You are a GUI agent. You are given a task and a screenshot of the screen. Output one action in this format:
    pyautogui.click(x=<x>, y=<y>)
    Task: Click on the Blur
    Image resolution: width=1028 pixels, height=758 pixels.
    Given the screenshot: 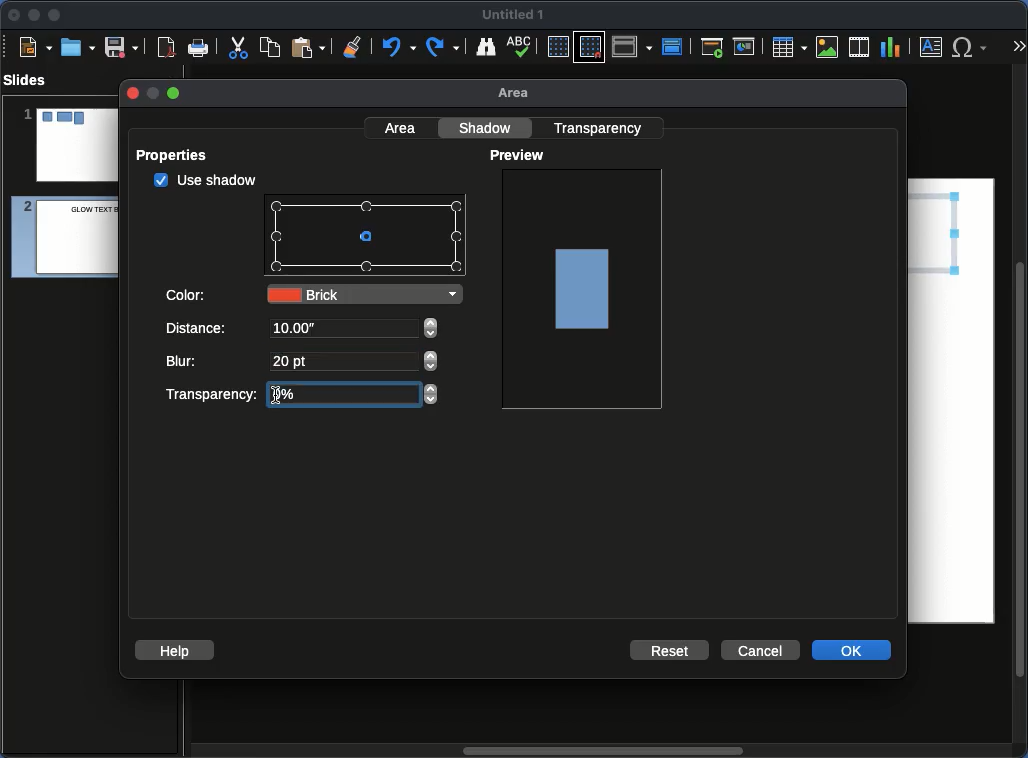 What is the action you would take?
    pyautogui.click(x=185, y=361)
    